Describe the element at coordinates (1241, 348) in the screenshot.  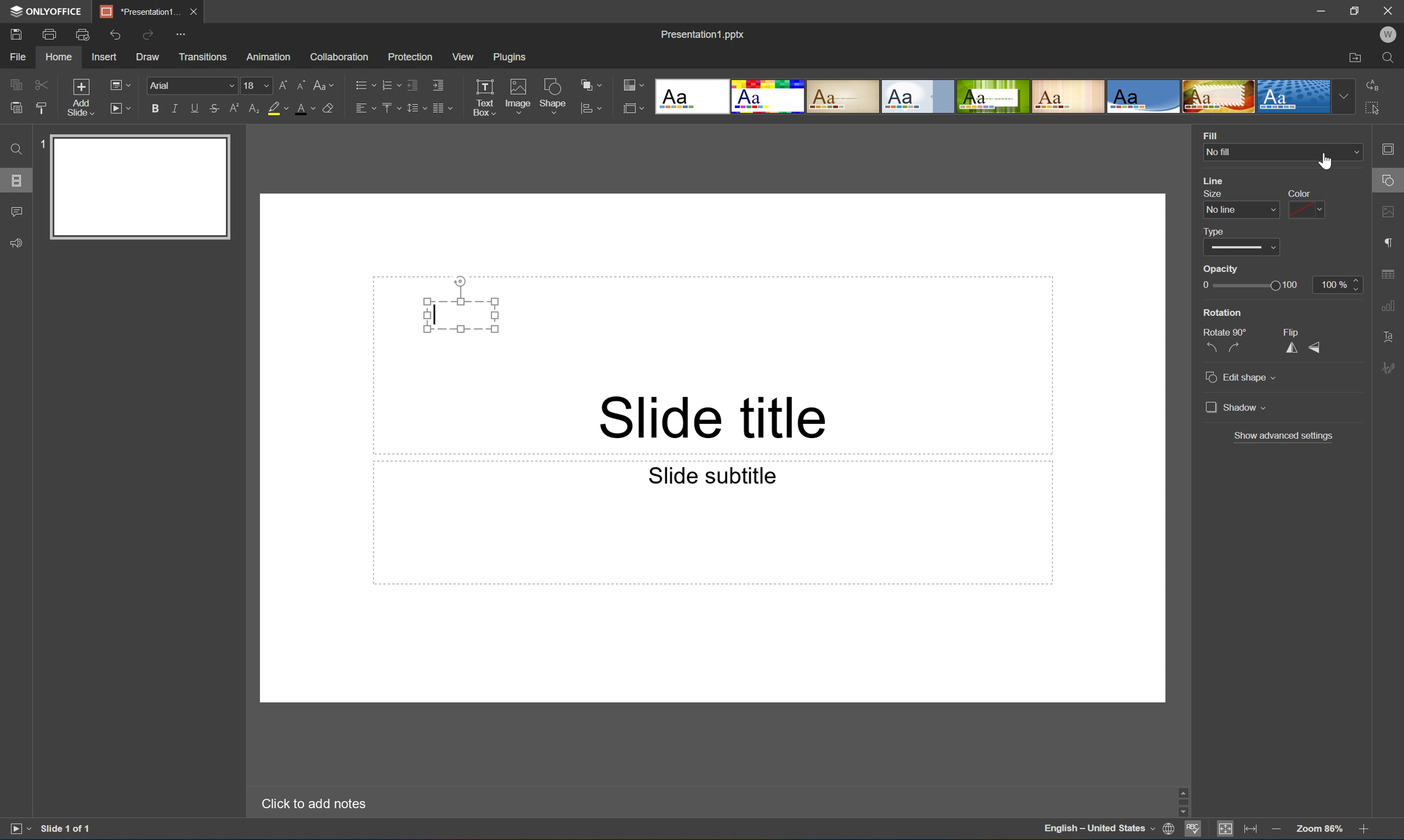
I see `Rotate 90° clockwise` at that location.